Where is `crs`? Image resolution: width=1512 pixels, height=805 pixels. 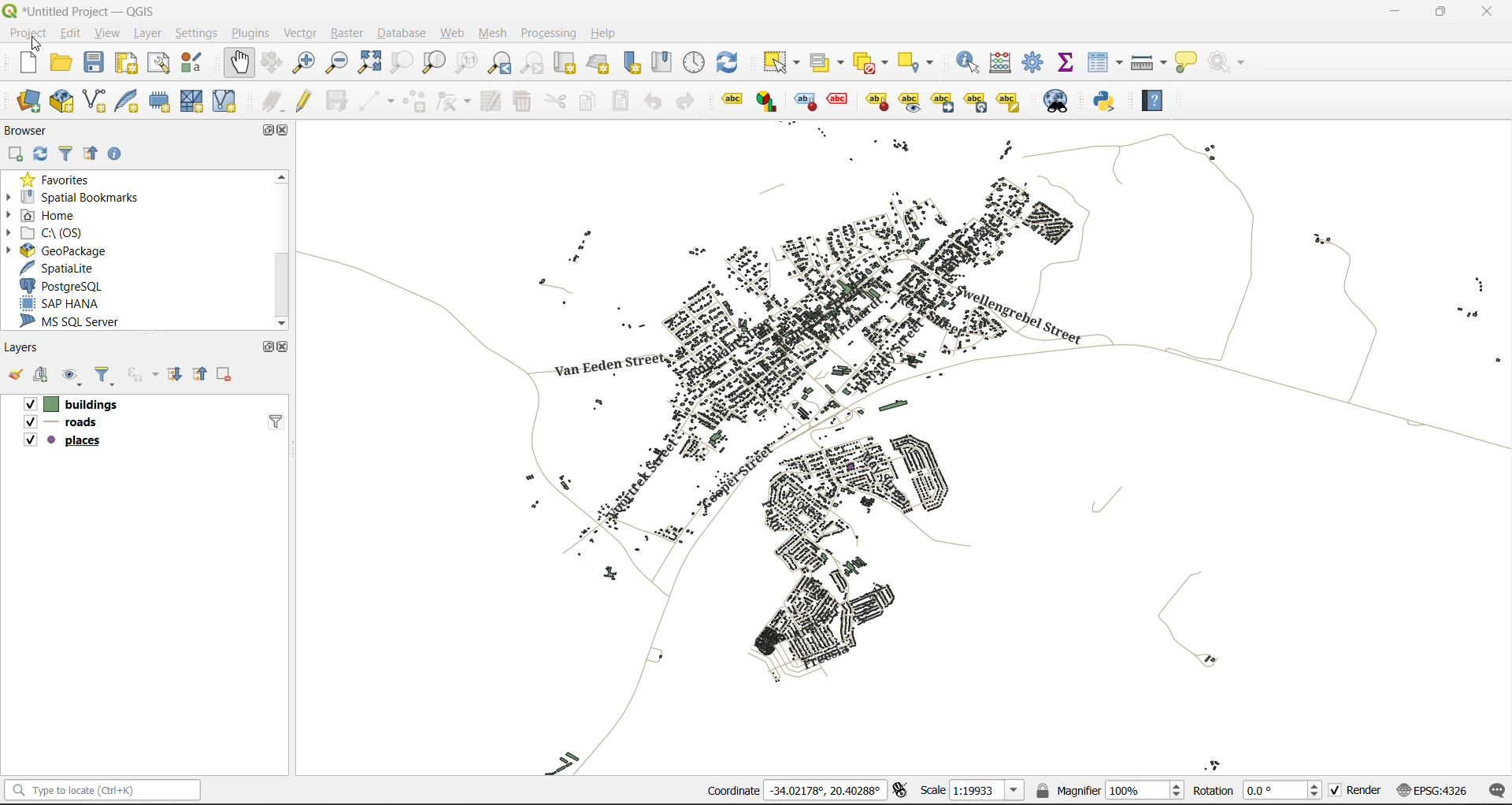
crs is located at coordinates (1428, 788).